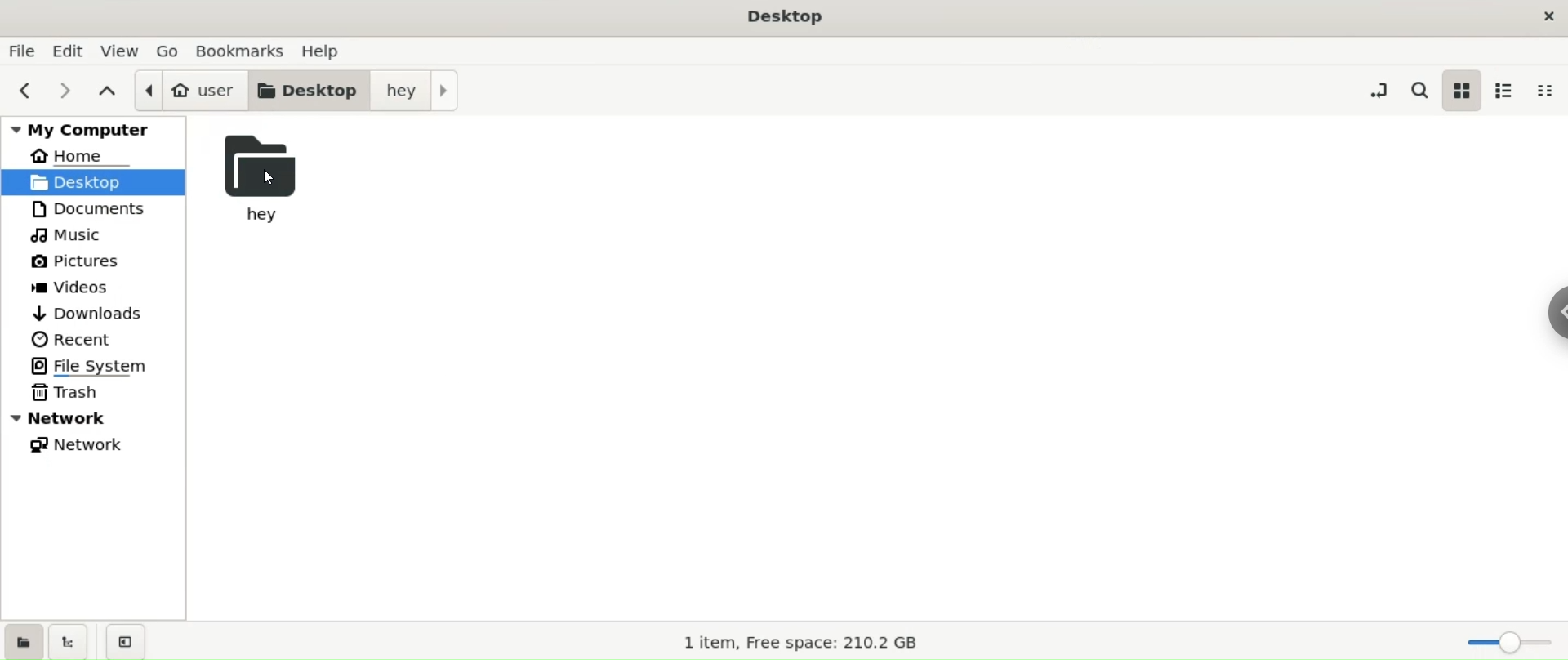 The width and height of the screenshot is (1568, 660). I want to click on search, so click(1419, 91).